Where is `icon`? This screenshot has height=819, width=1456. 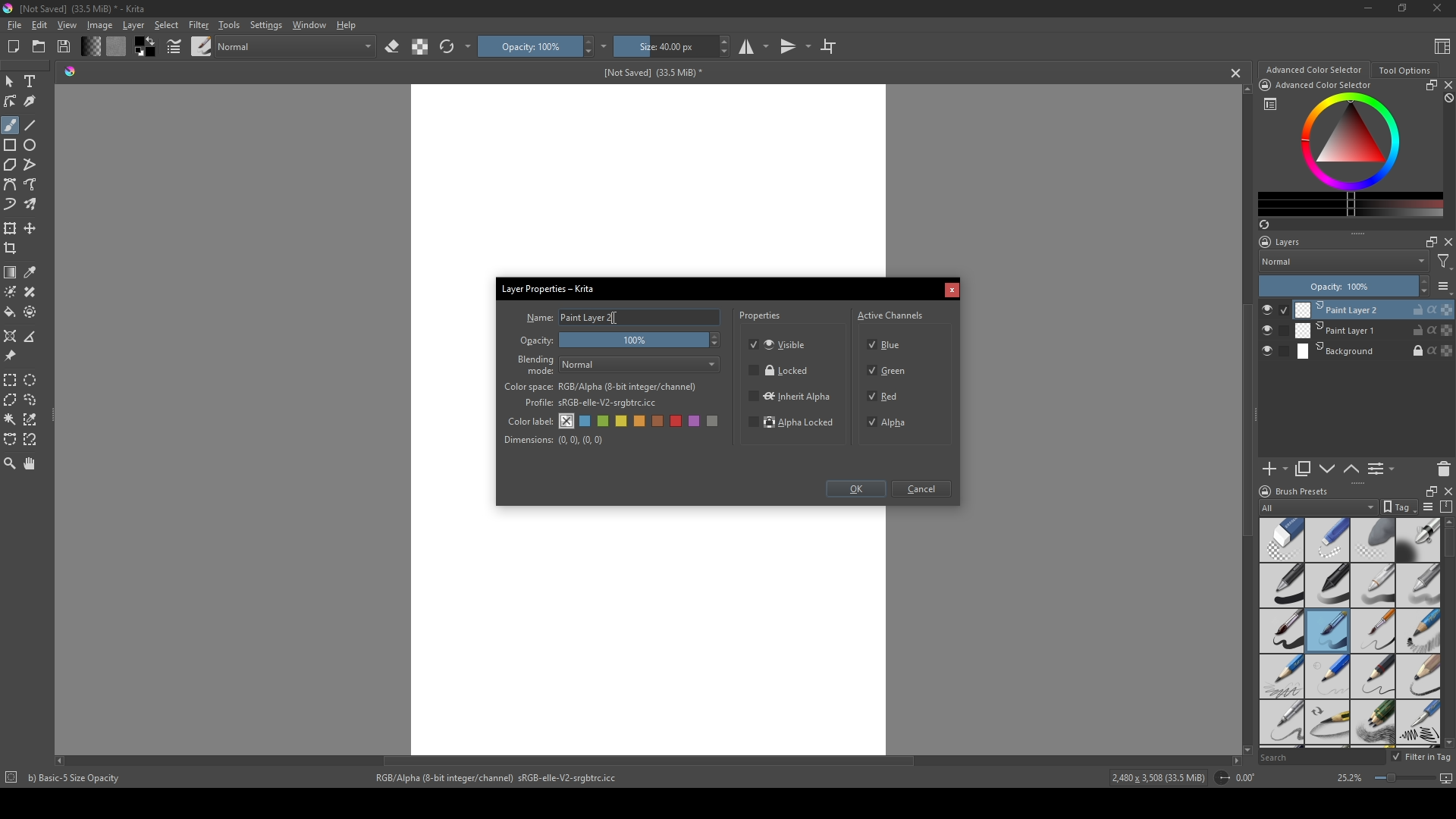 icon is located at coordinates (1221, 778).